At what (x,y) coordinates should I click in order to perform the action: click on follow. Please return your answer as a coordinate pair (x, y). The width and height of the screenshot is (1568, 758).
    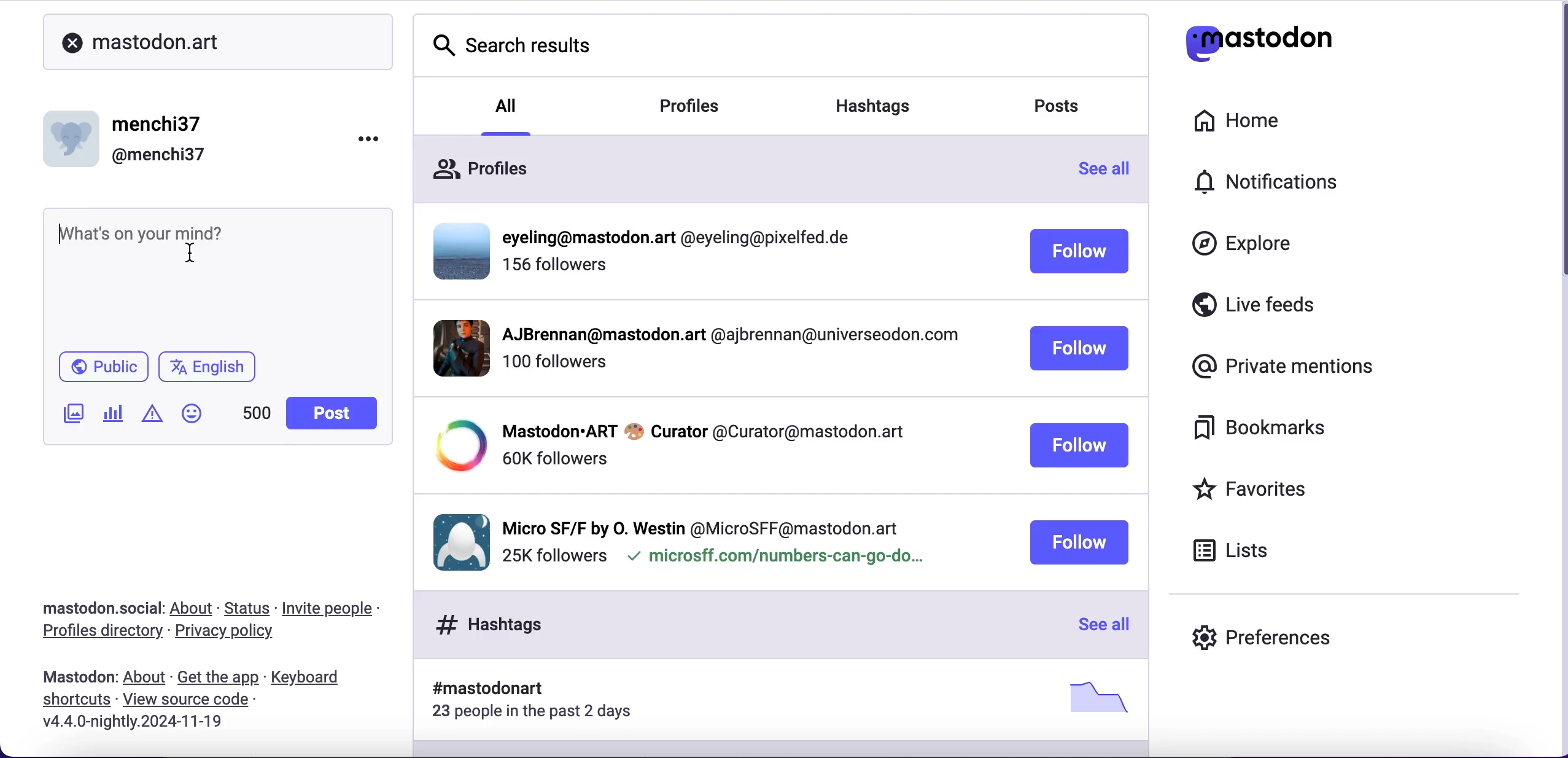
    Looking at the image, I should click on (1078, 542).